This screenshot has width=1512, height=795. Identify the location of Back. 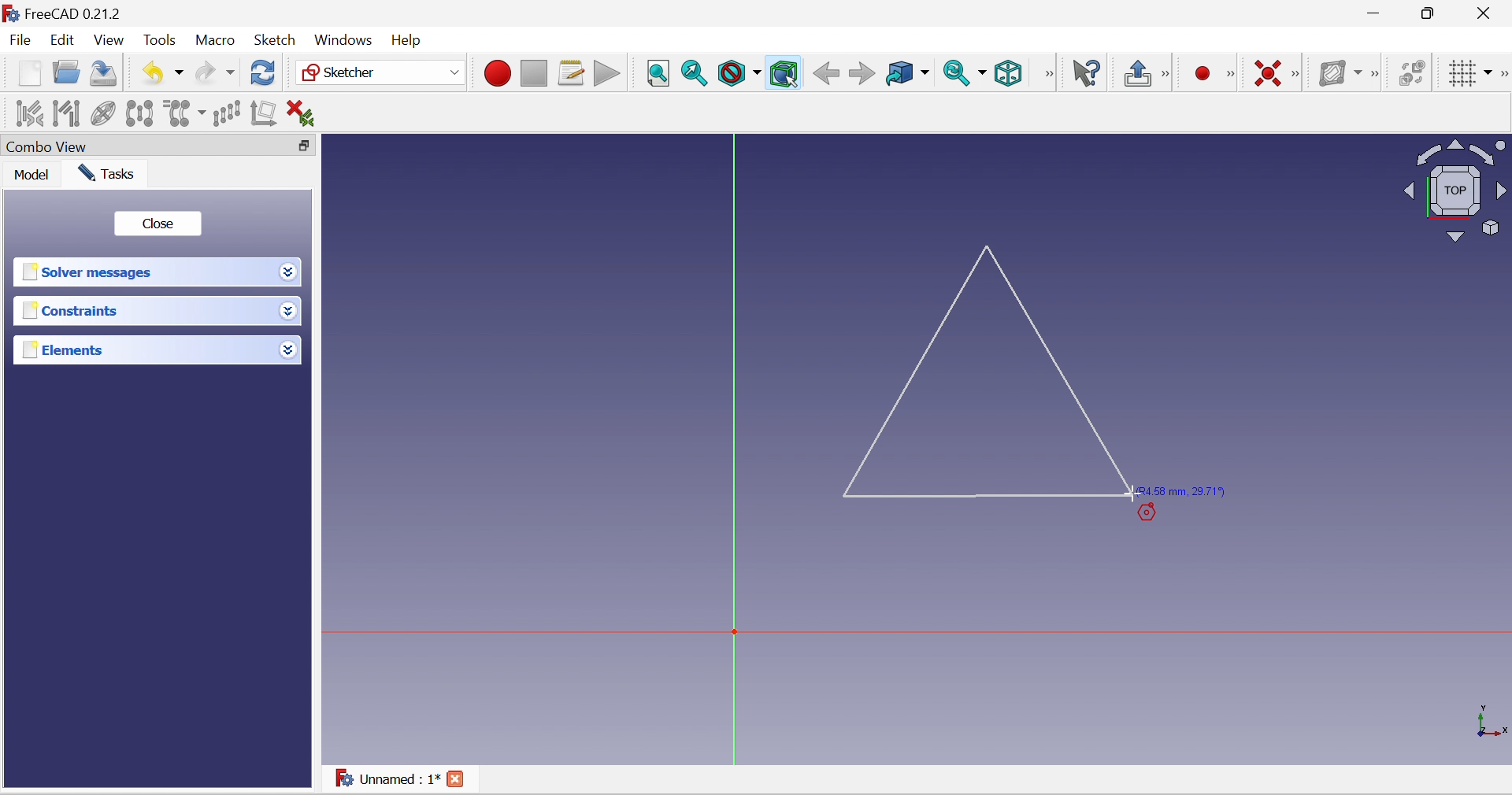
(827, 74).